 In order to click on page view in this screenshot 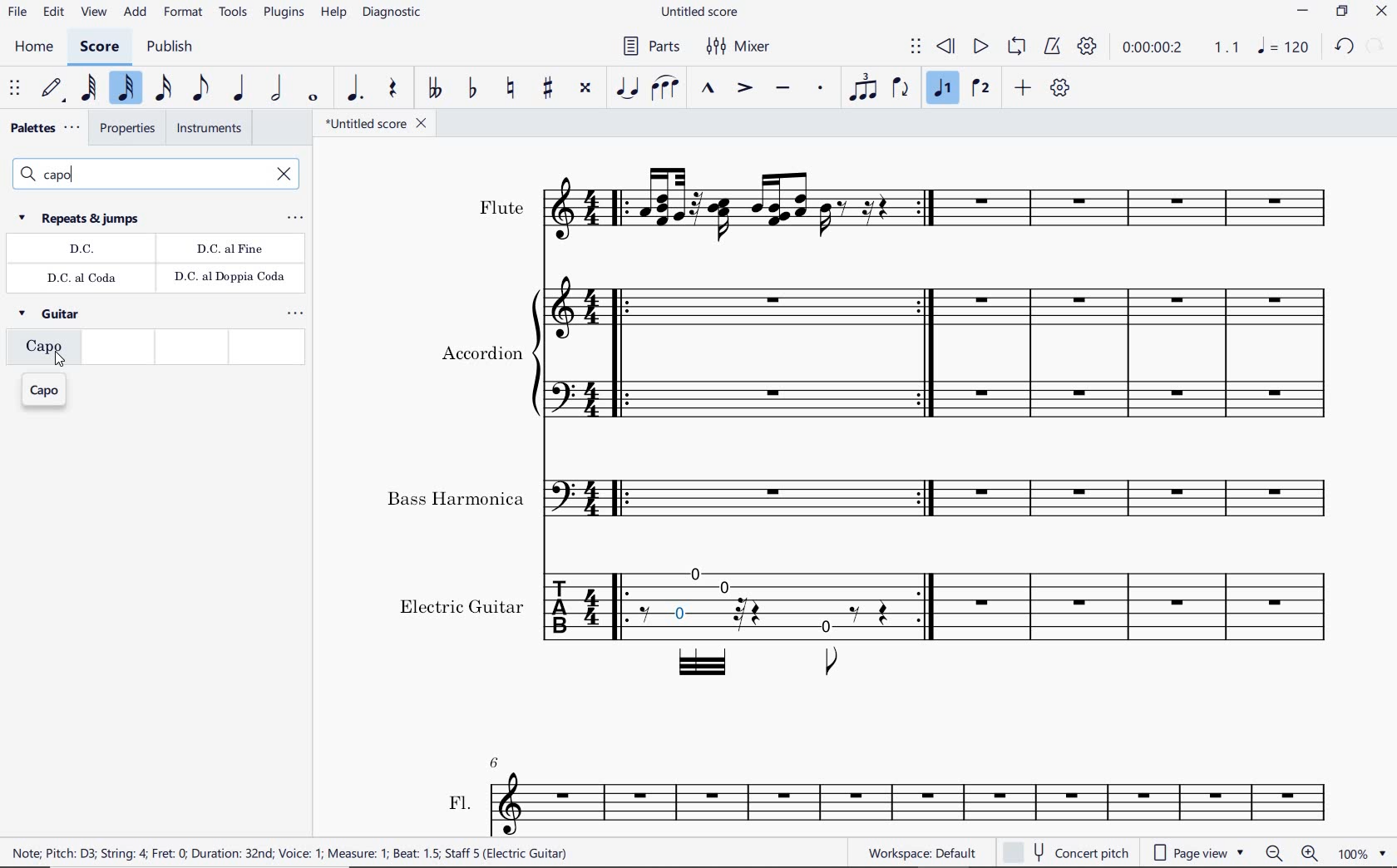, I will do `click(1197, 852)`.